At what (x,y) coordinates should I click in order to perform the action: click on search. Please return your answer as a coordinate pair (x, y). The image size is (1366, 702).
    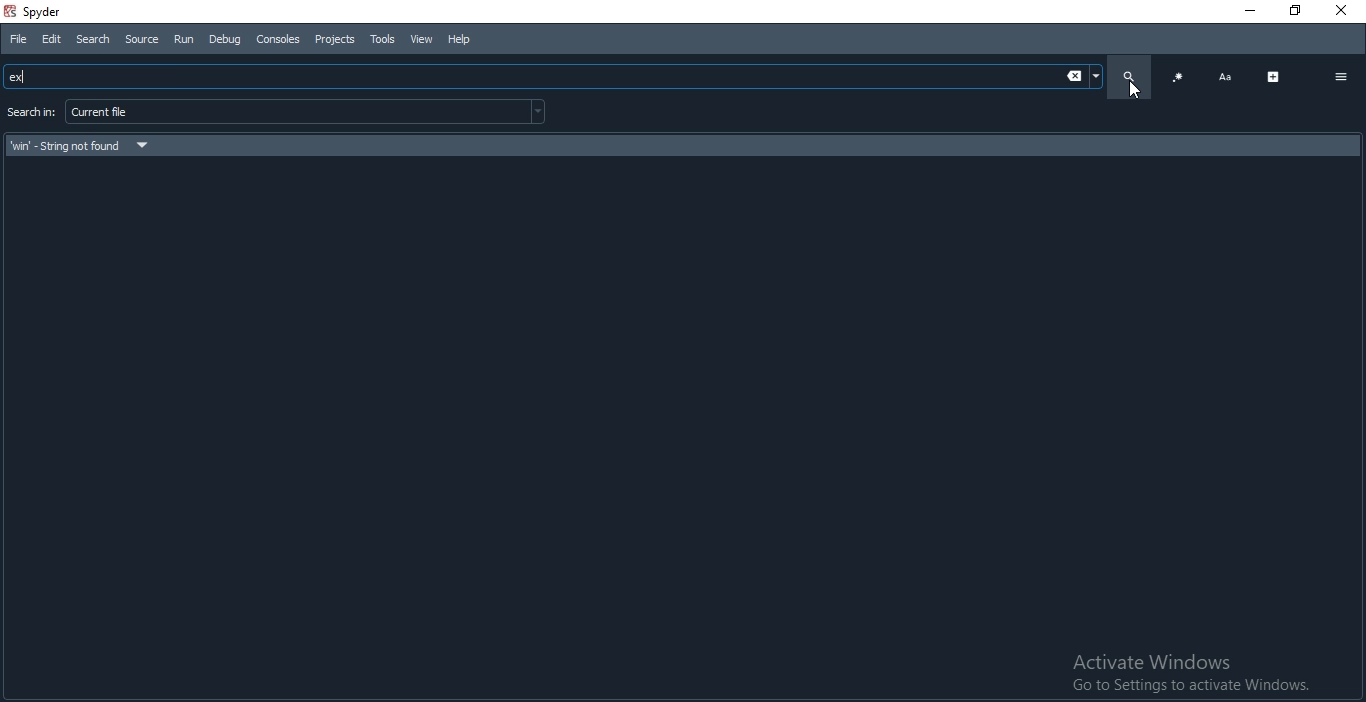
    Looking at the image, I should click on (1126, 72).